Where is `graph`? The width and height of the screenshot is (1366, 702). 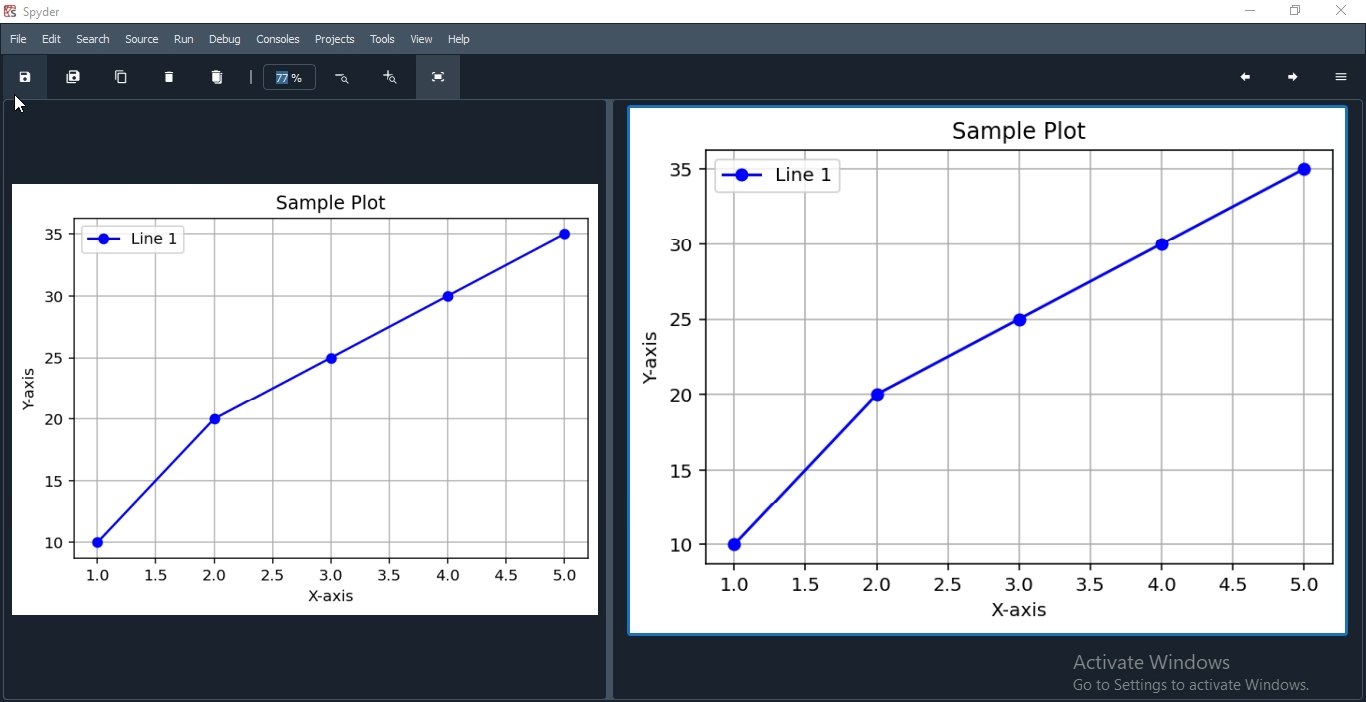 graph is located at coordinates (983, 370).